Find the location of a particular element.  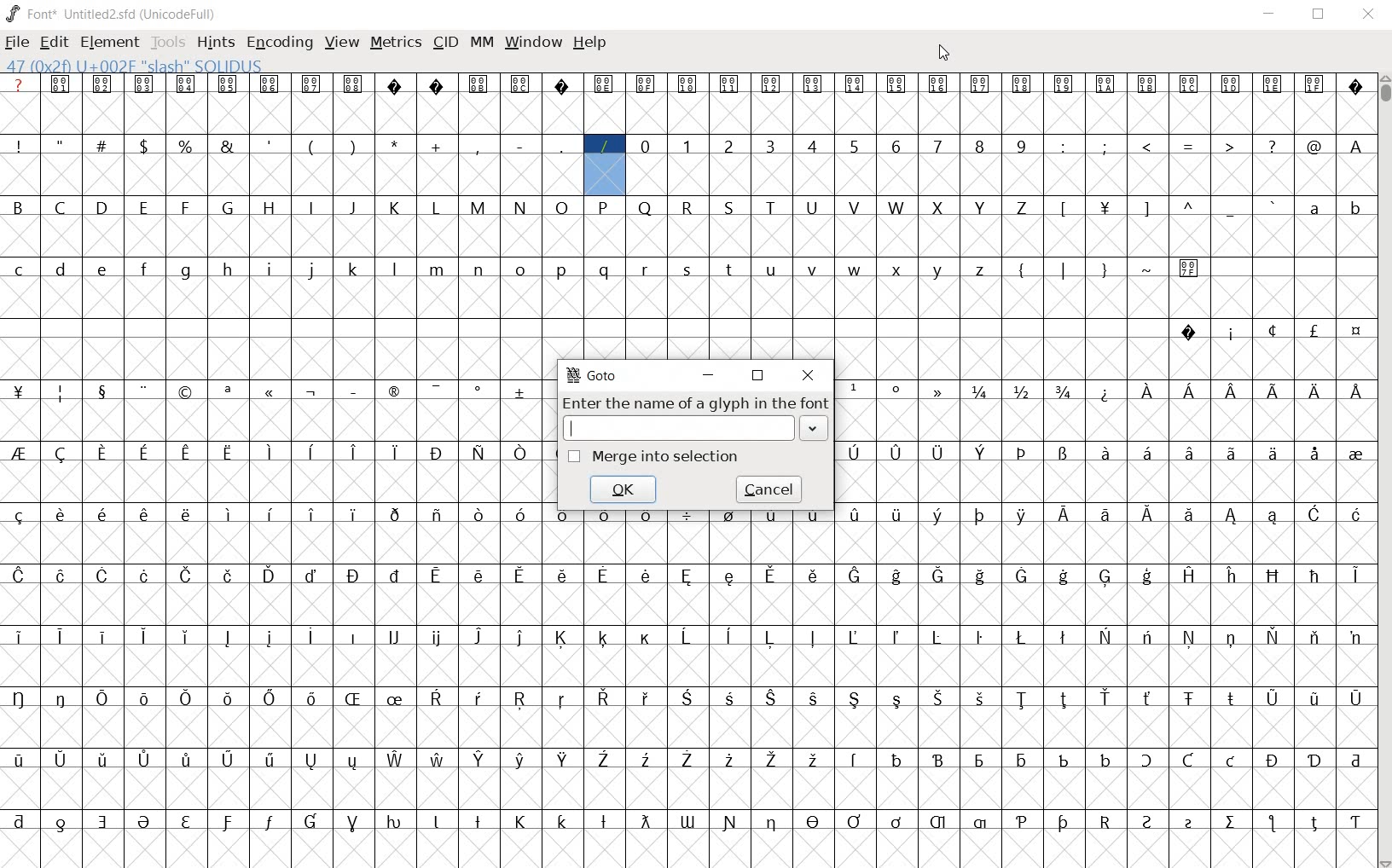

glyph is located at coordinates (61, 394).